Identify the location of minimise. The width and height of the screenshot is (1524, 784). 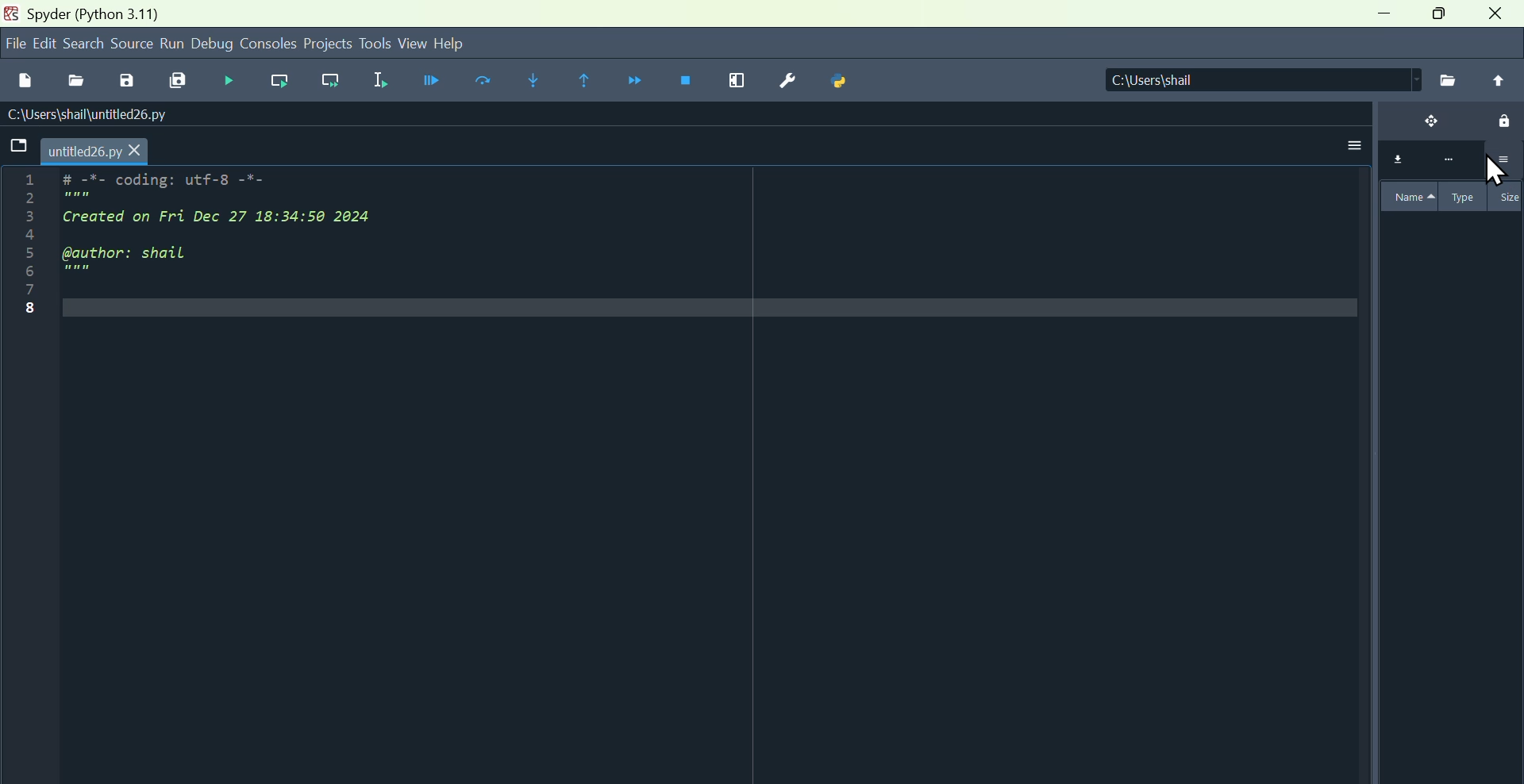
(1379, 19).